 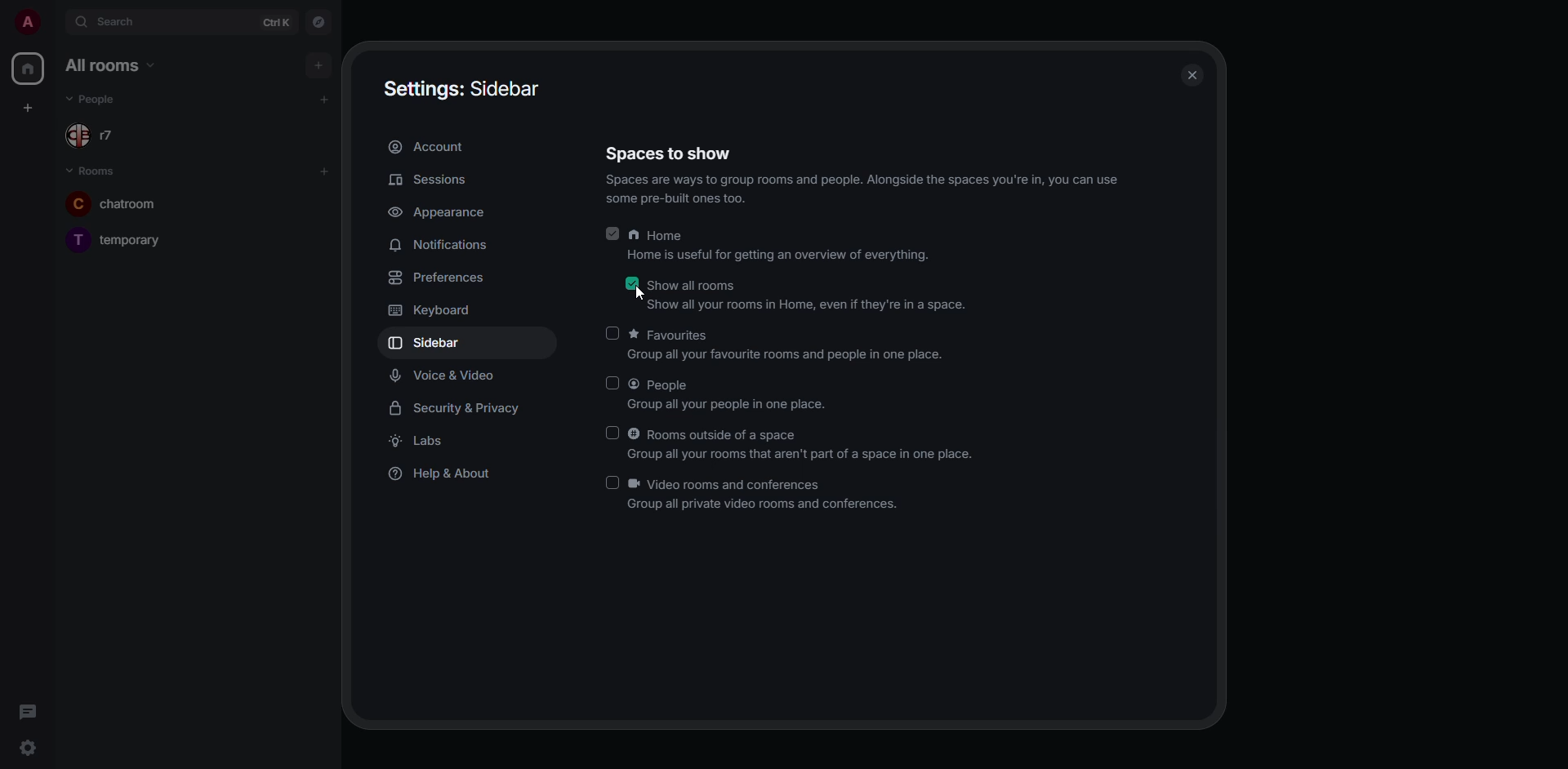 What do you see at coordinates (616, 333) in the screenshot?
I see `click to enable` at bounding box center [616, 333].